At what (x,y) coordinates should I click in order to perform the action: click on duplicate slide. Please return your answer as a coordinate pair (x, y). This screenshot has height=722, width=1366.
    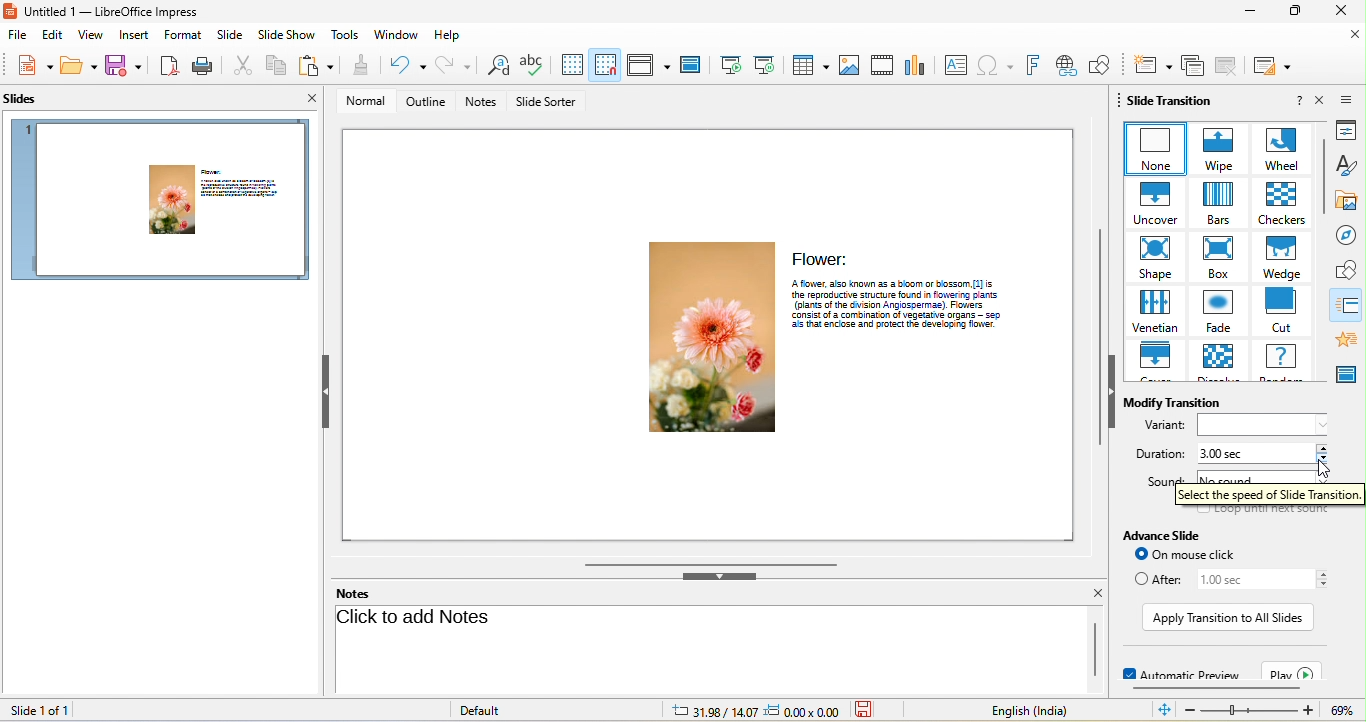
    Looking at the image, I should click on (1191, 65).